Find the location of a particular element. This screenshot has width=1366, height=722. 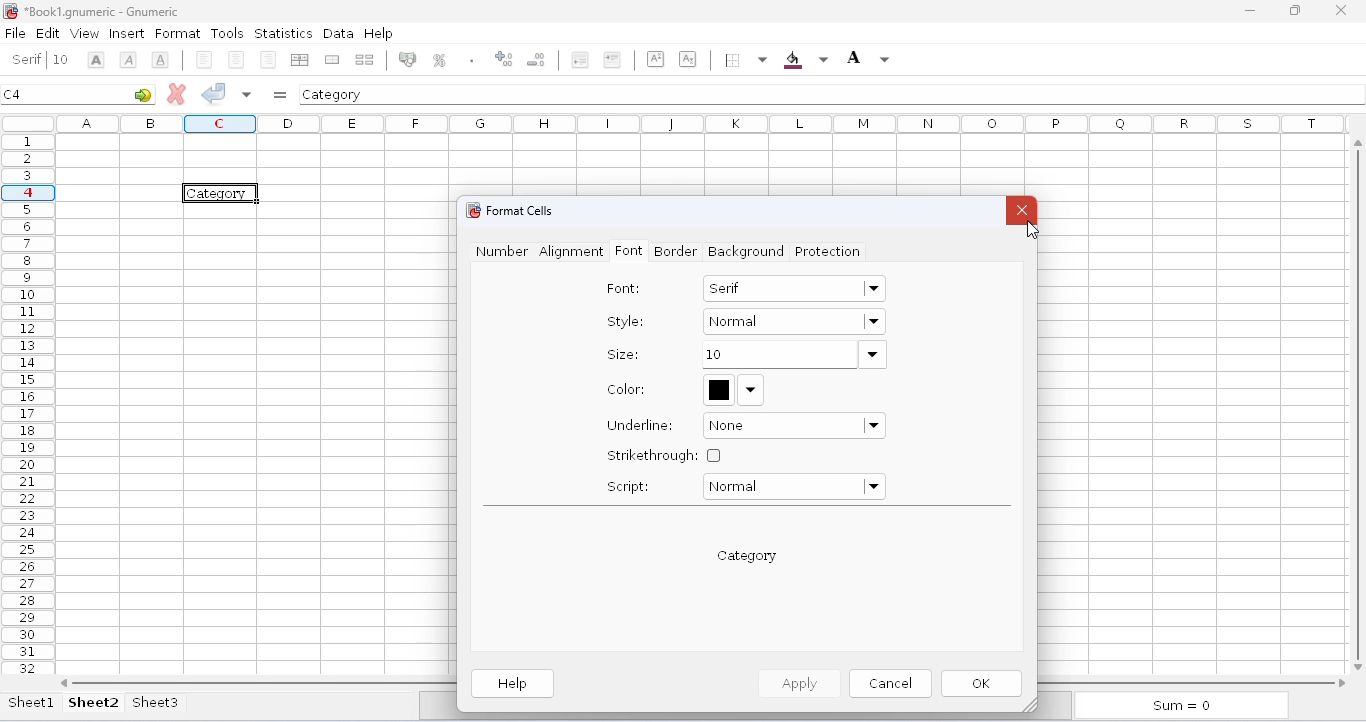

vertical scroll bar is located at coordinates (1361, 402).